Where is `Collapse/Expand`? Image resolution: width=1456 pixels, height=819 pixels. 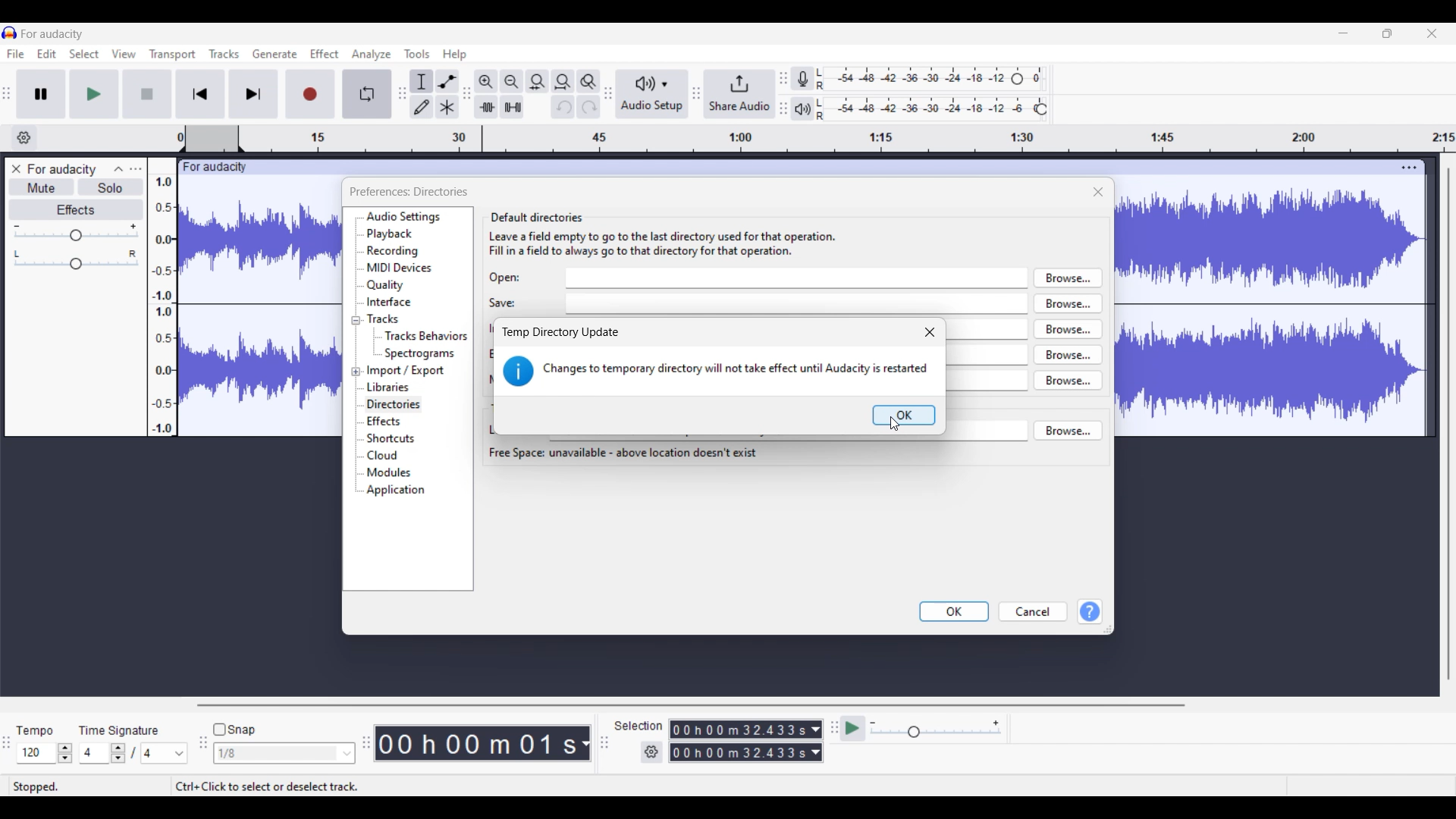 Collapse/Expand is located at coordinates (356, 346).